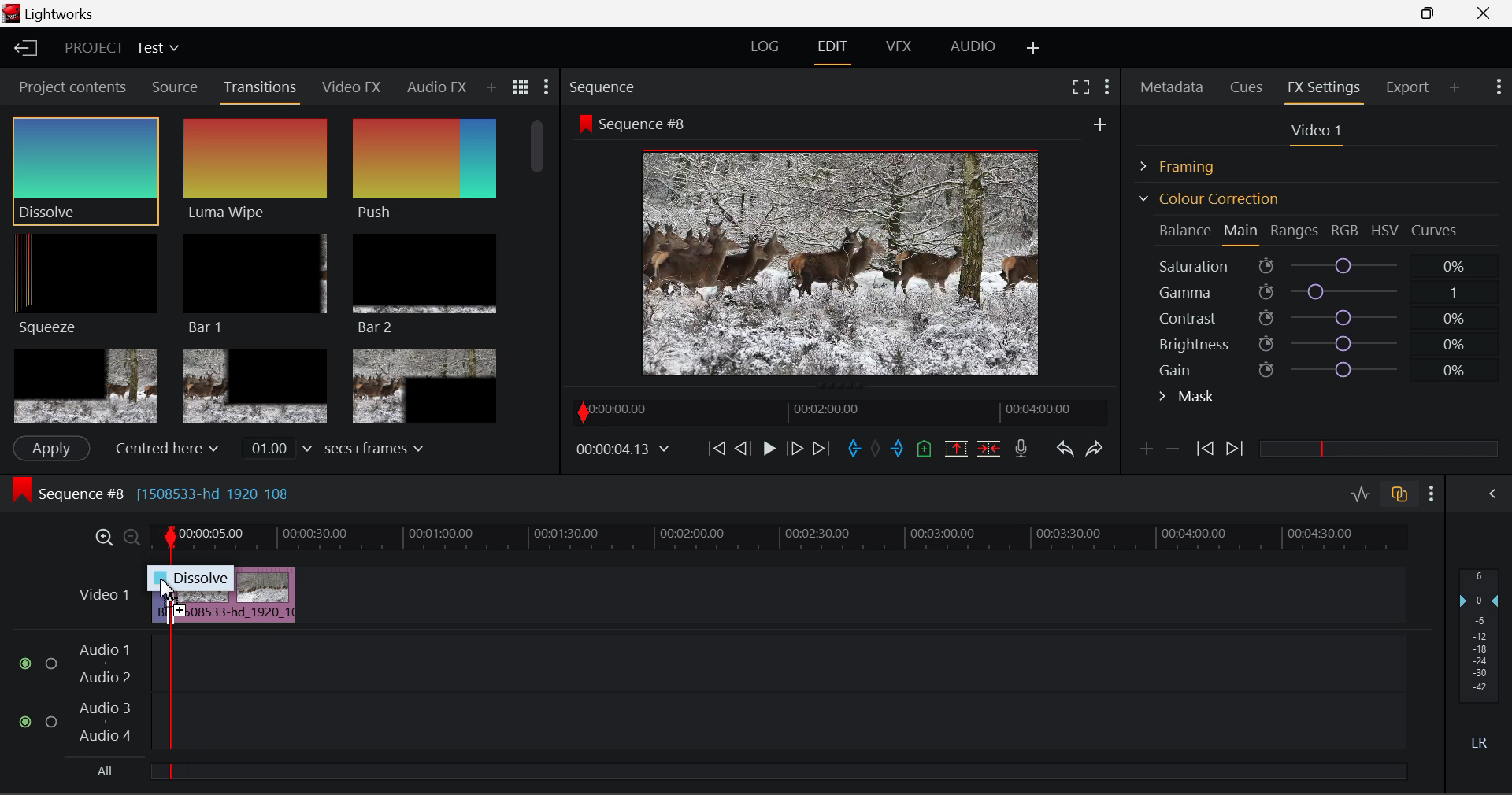 Image resolution: width=1512 pixels, height=795 pixels. Describe the element at coordinates (1248, 85) in the screenshot. I see `Cues Panel` at that location.